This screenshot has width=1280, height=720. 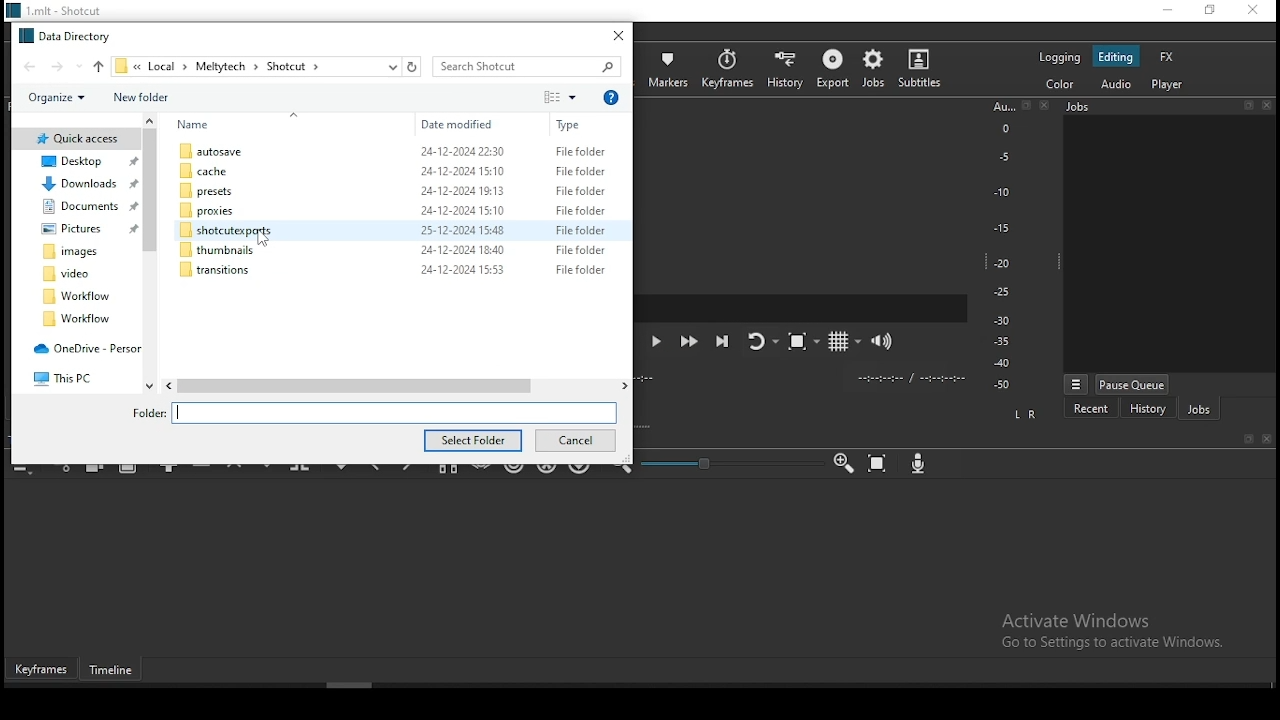 I want to click on forward, so click(x=65, y=65).